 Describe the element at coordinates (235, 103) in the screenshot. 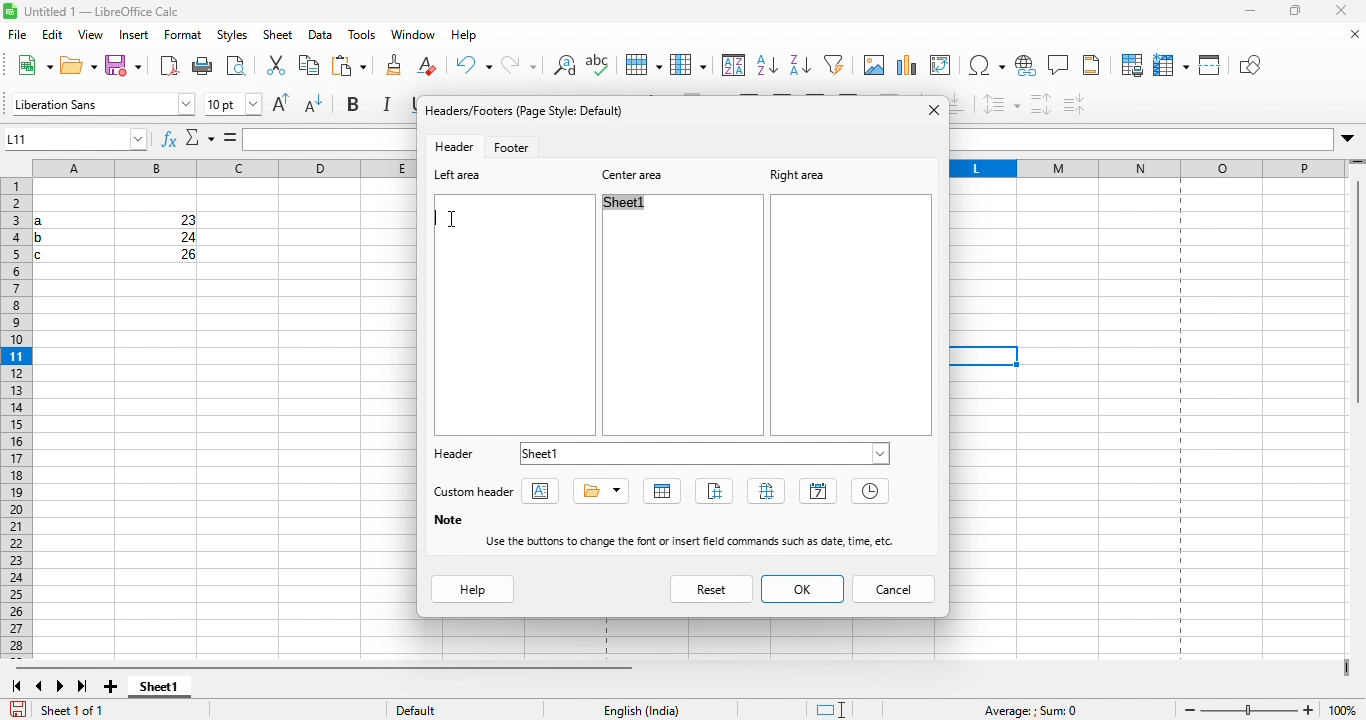

I see `font size` at that location.